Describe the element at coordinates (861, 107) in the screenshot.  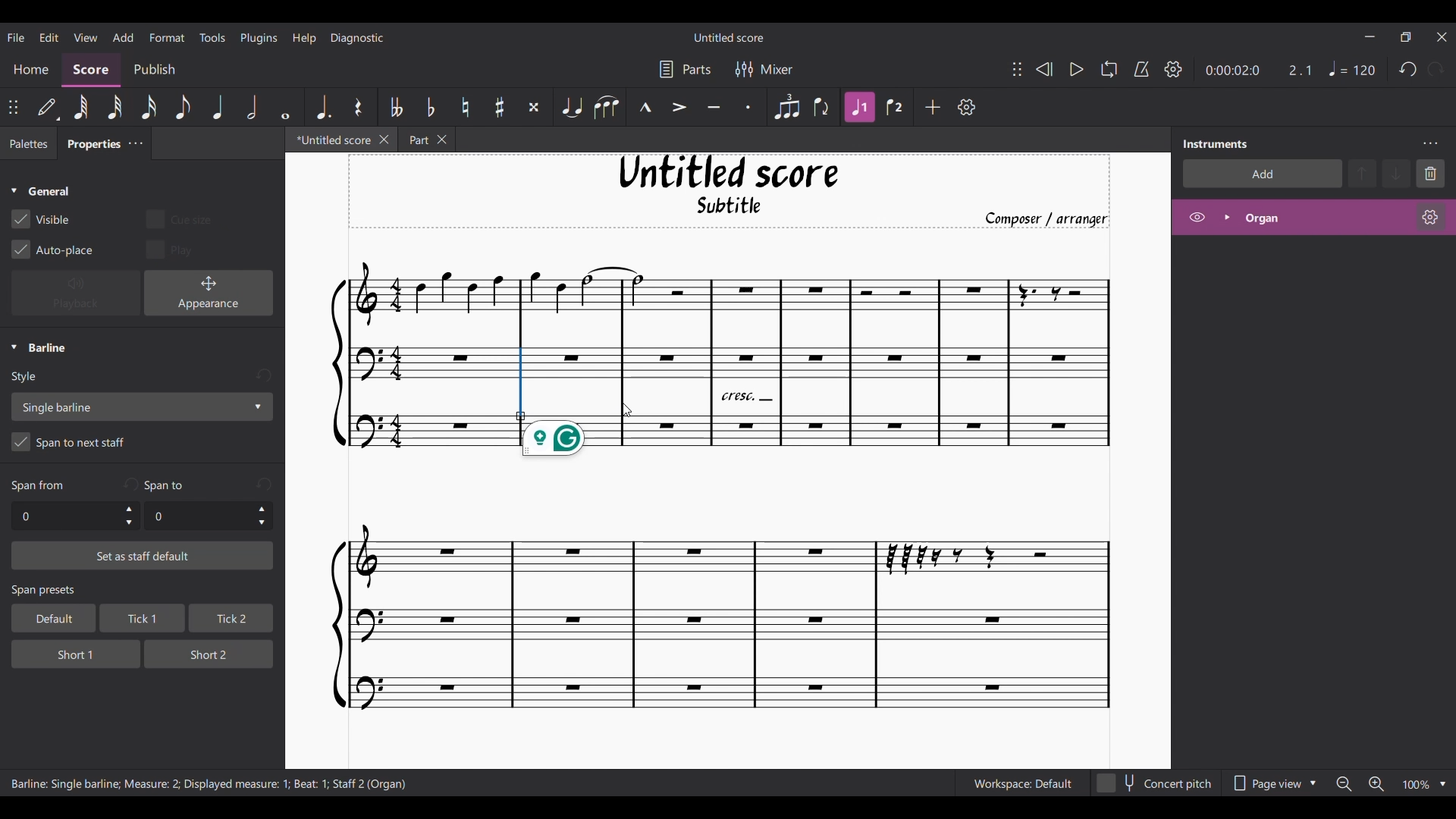
I see `Highlighted due to current selection` at that location.